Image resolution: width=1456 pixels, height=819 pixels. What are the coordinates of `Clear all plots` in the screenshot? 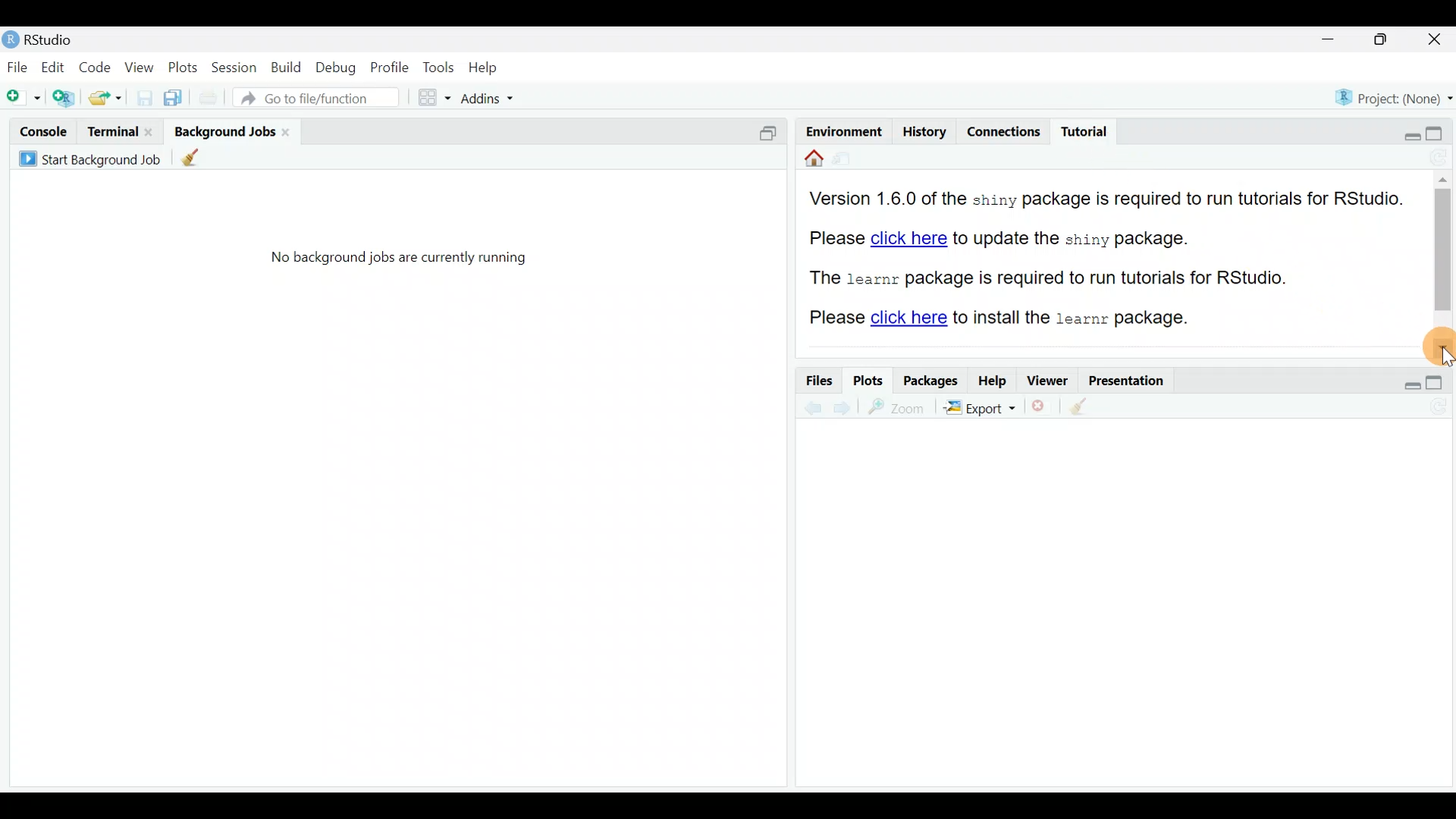 It's located at (1087, 406).